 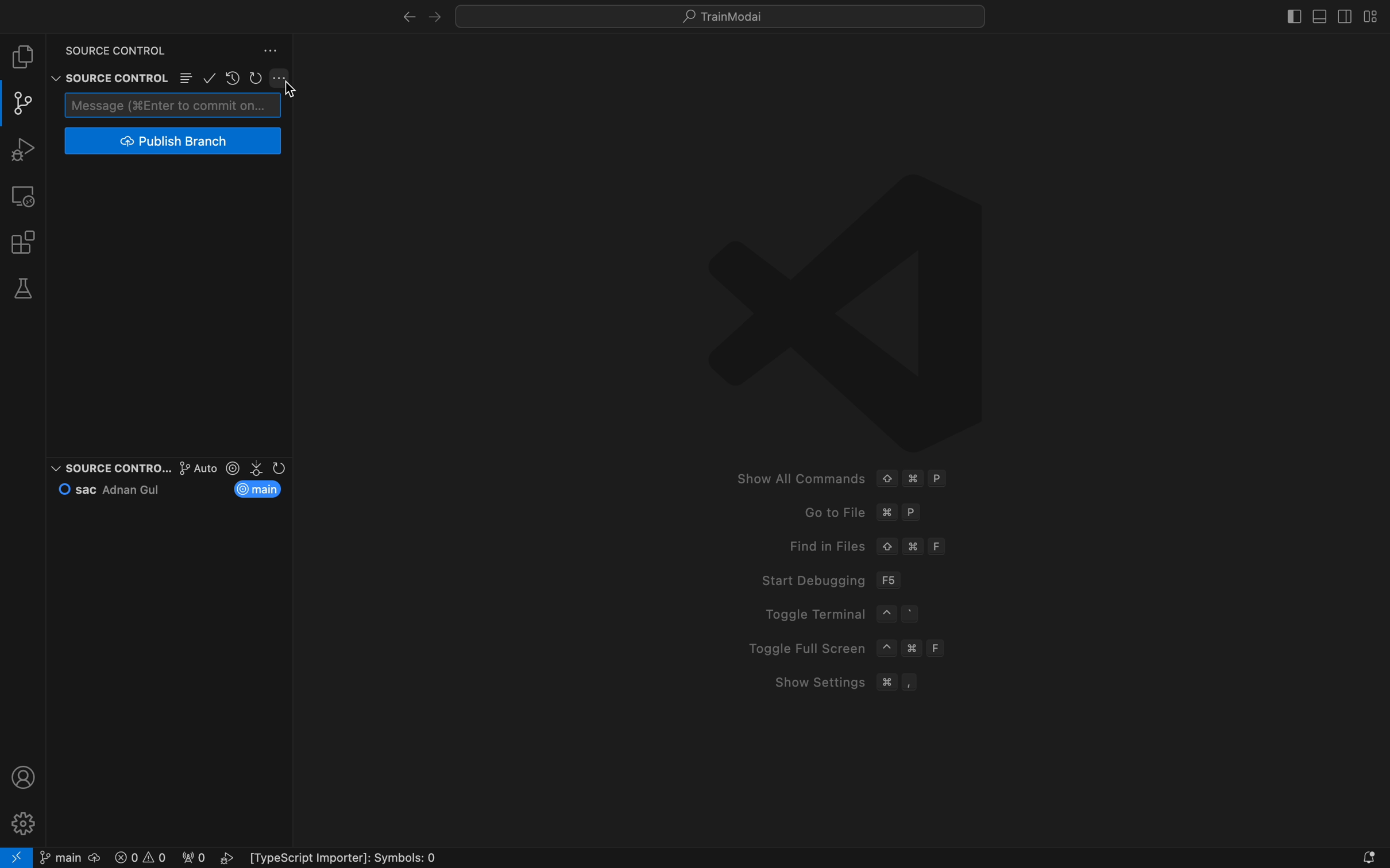 What do you see at coordinates (282, 858) in the screenshot?
I see `error logs` at bounding box center [282, 858].